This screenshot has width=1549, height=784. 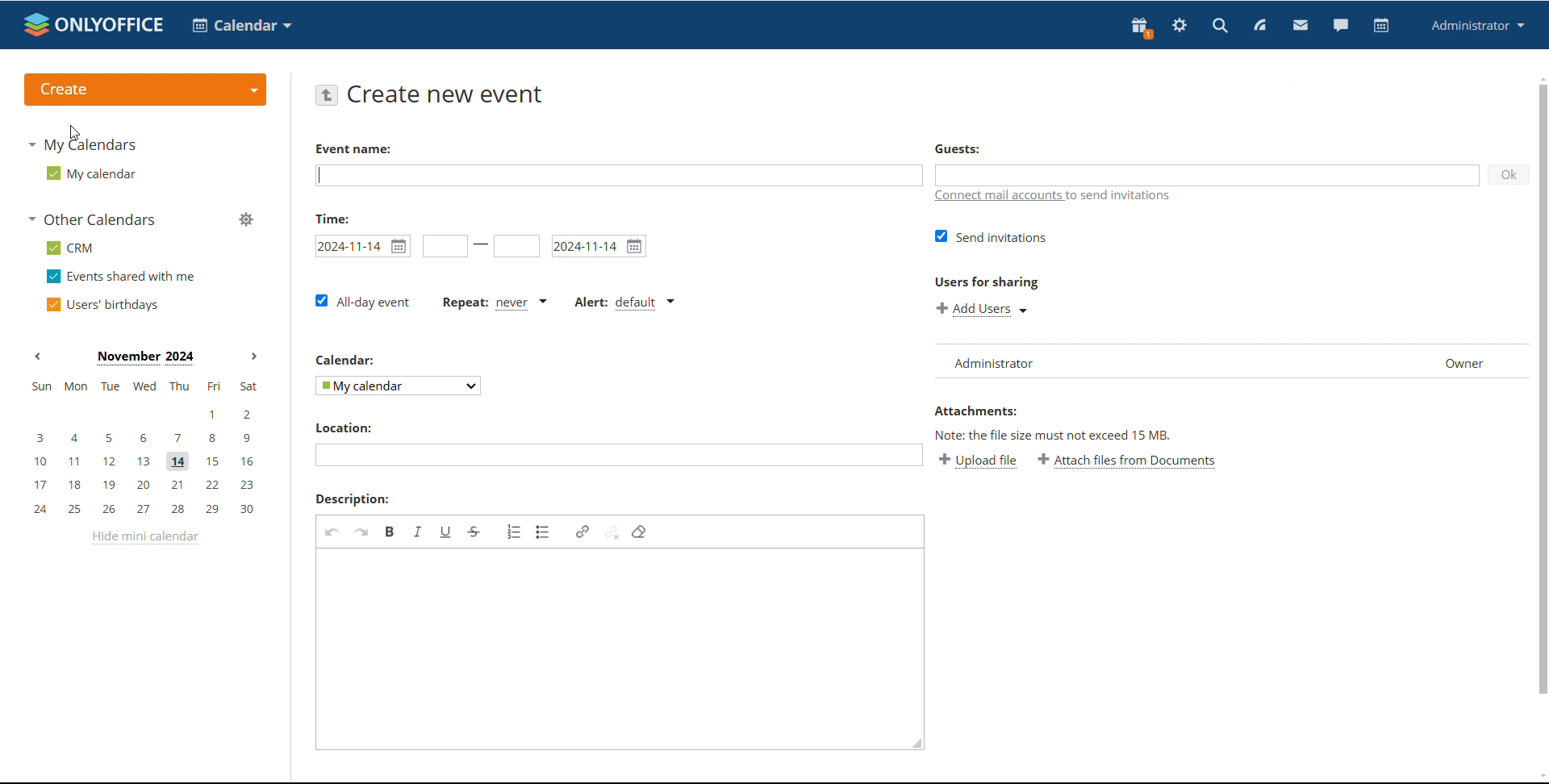 I want to click on add guests, so click(x=1205, y=174).